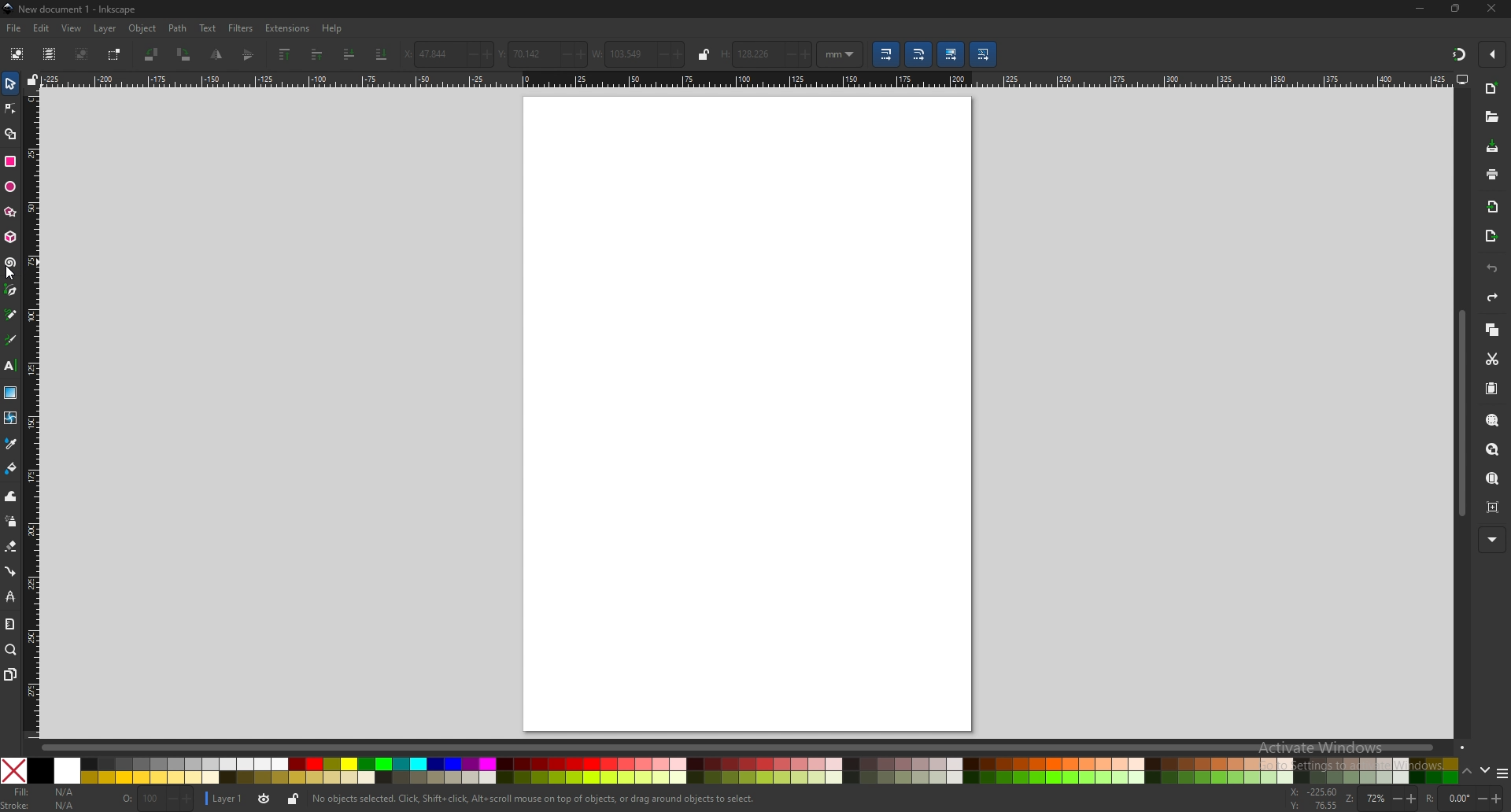  Describe the element at coordinates (49, 54) in the screenshot. I see `select all in all layers` at that location.